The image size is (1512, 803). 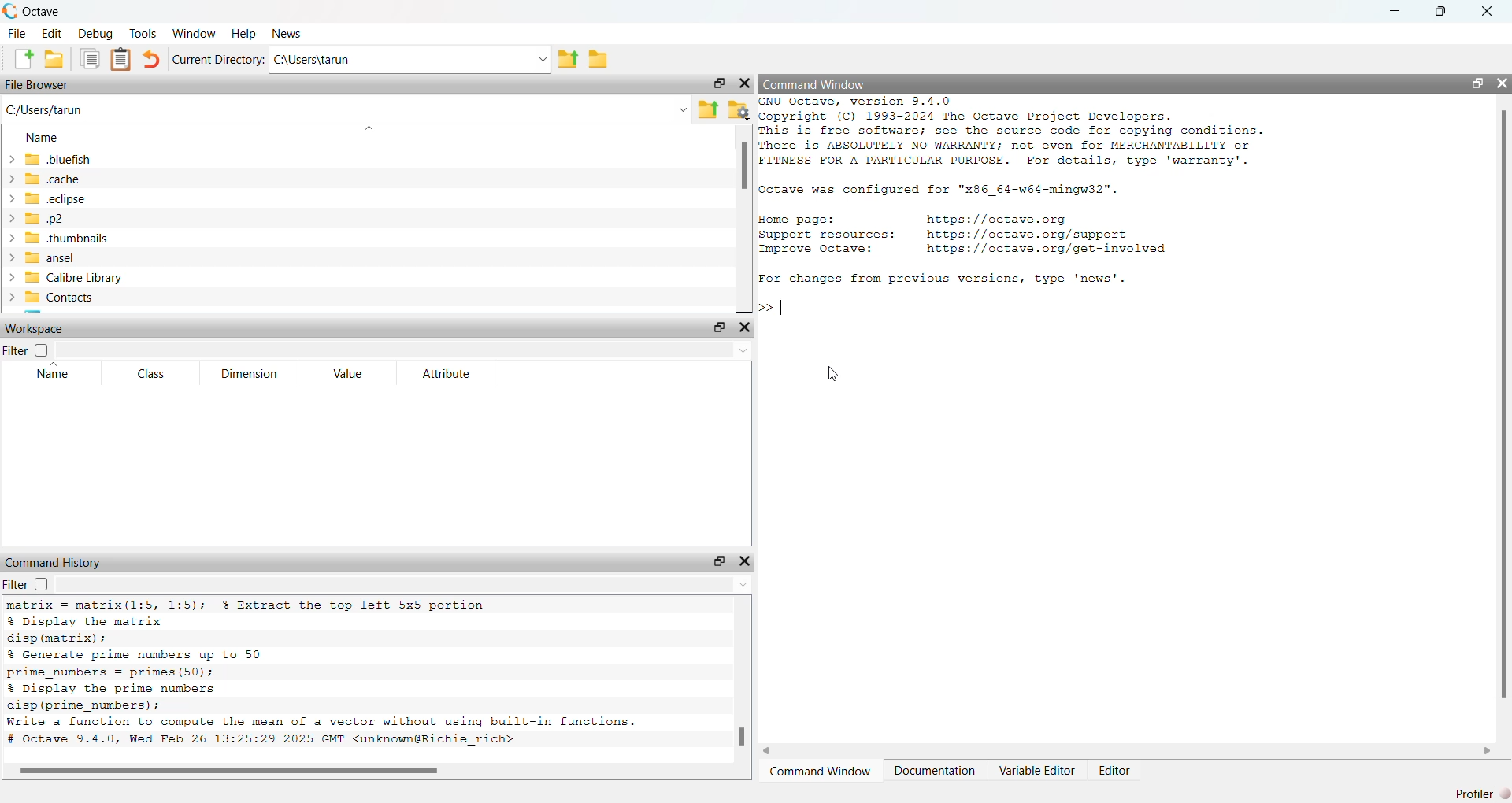 What do you see at coordinates (742, 737) in the screenshot?
I see `scroll bar` at bounding box center [742, 737].